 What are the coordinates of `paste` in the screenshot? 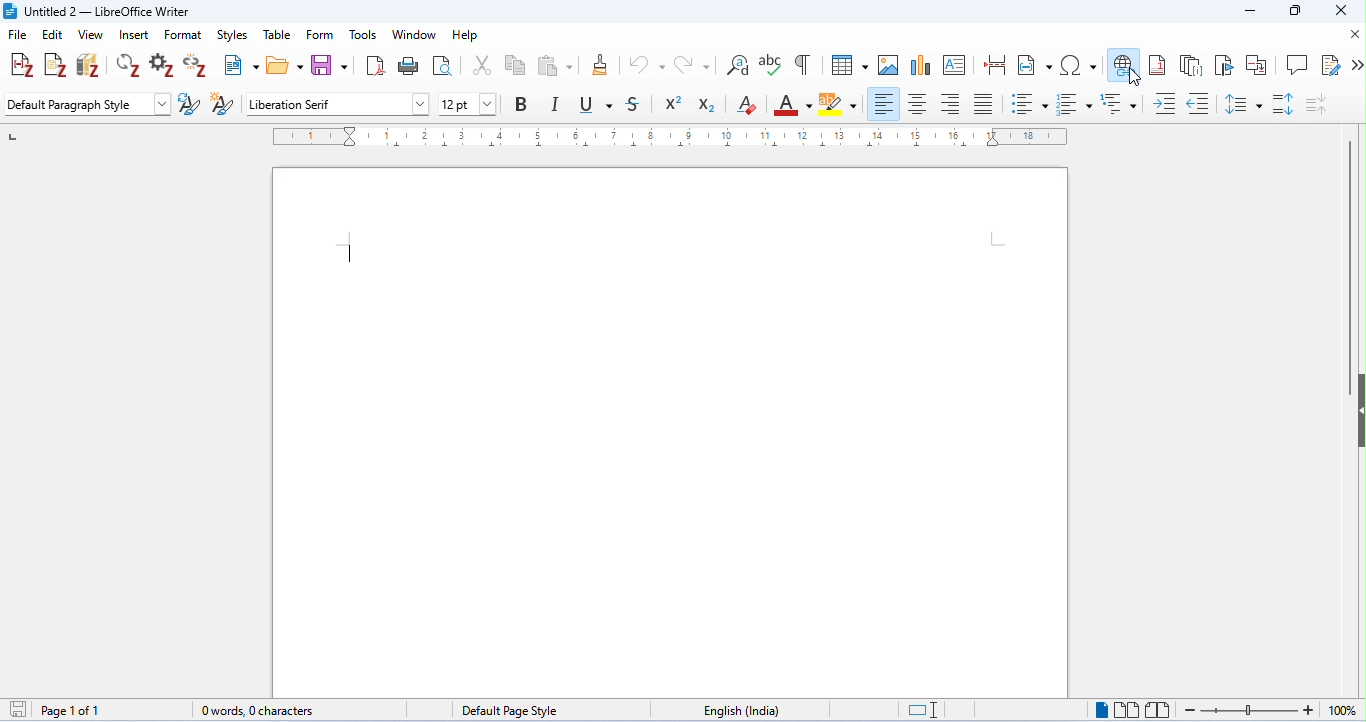 It's located at (555, 64).